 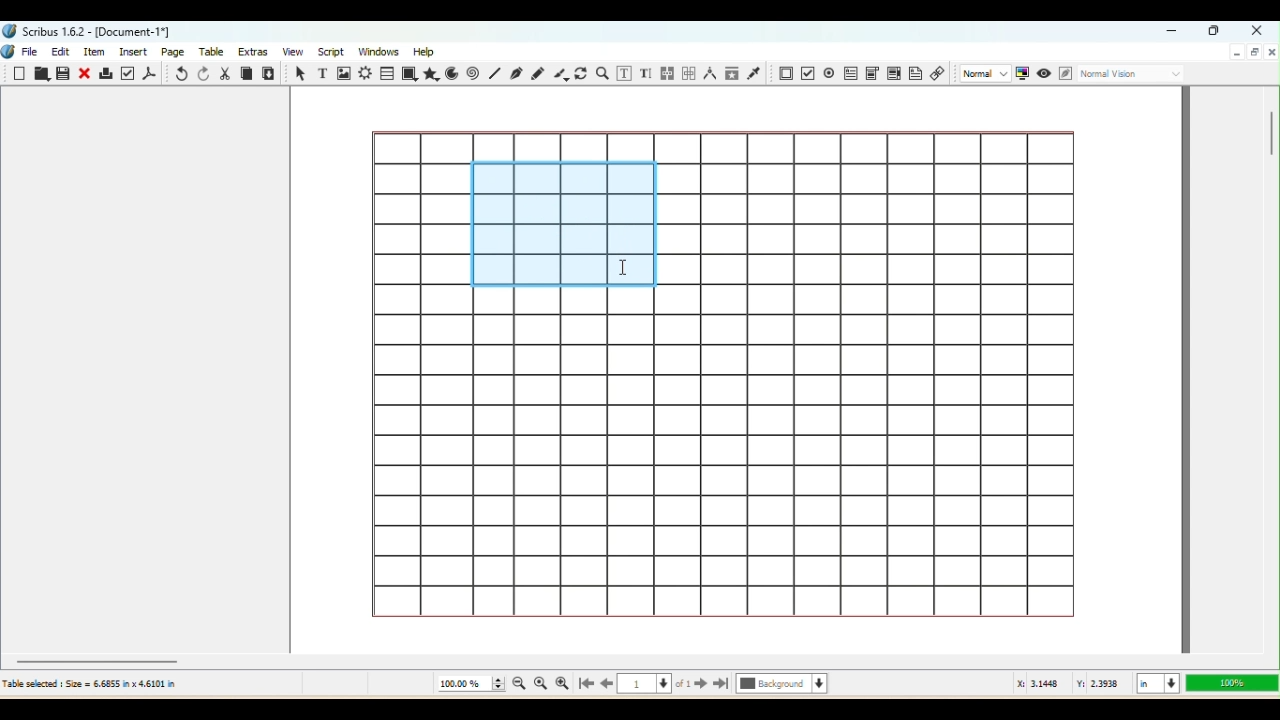 What do you see at coordinates (129, 73) in the screenshot?
I see `Preflight verifier` at bounding box center [129, 73].